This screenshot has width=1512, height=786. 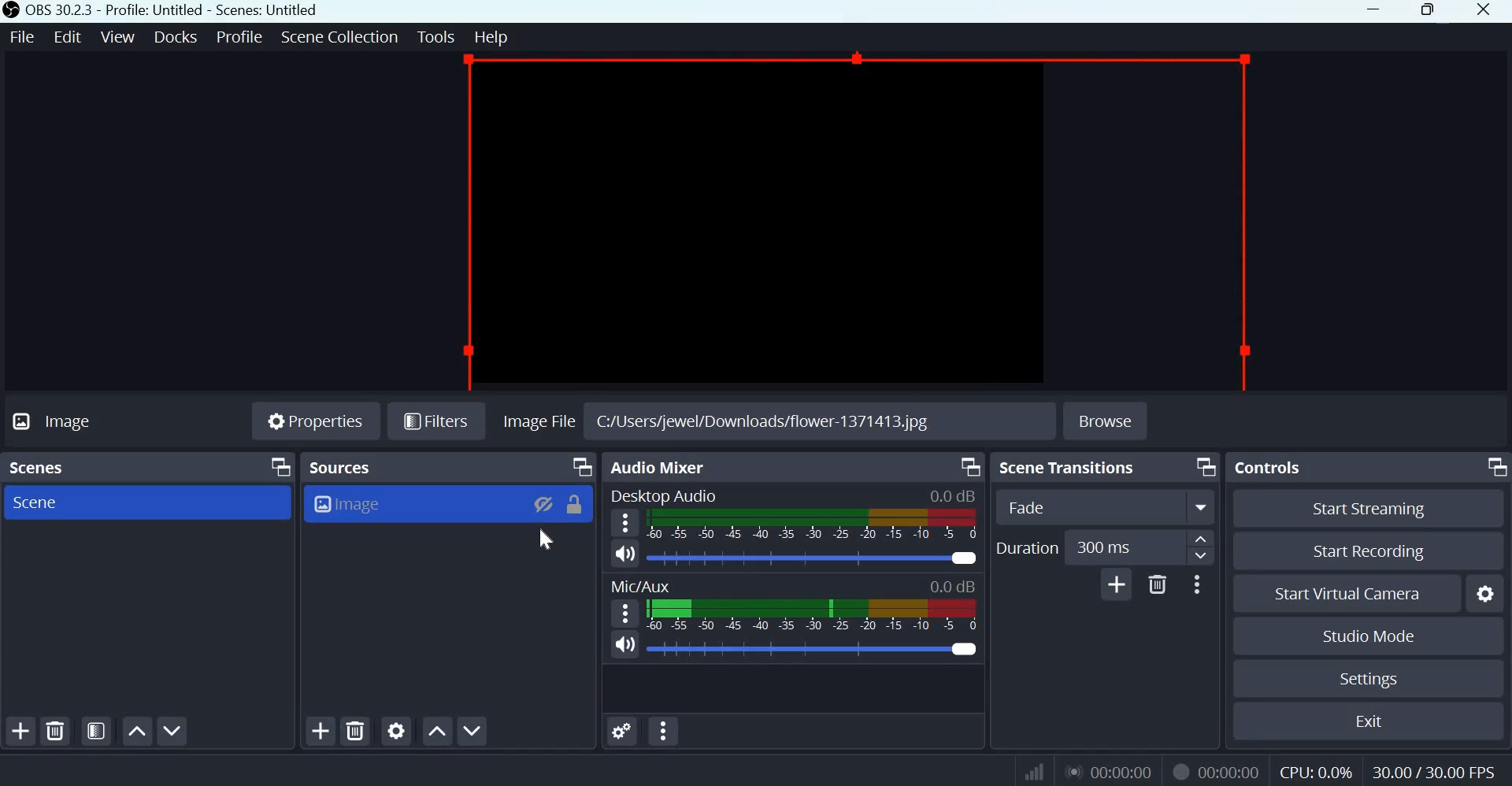 I want to click on Open source properties, so click(x=395, y=730).